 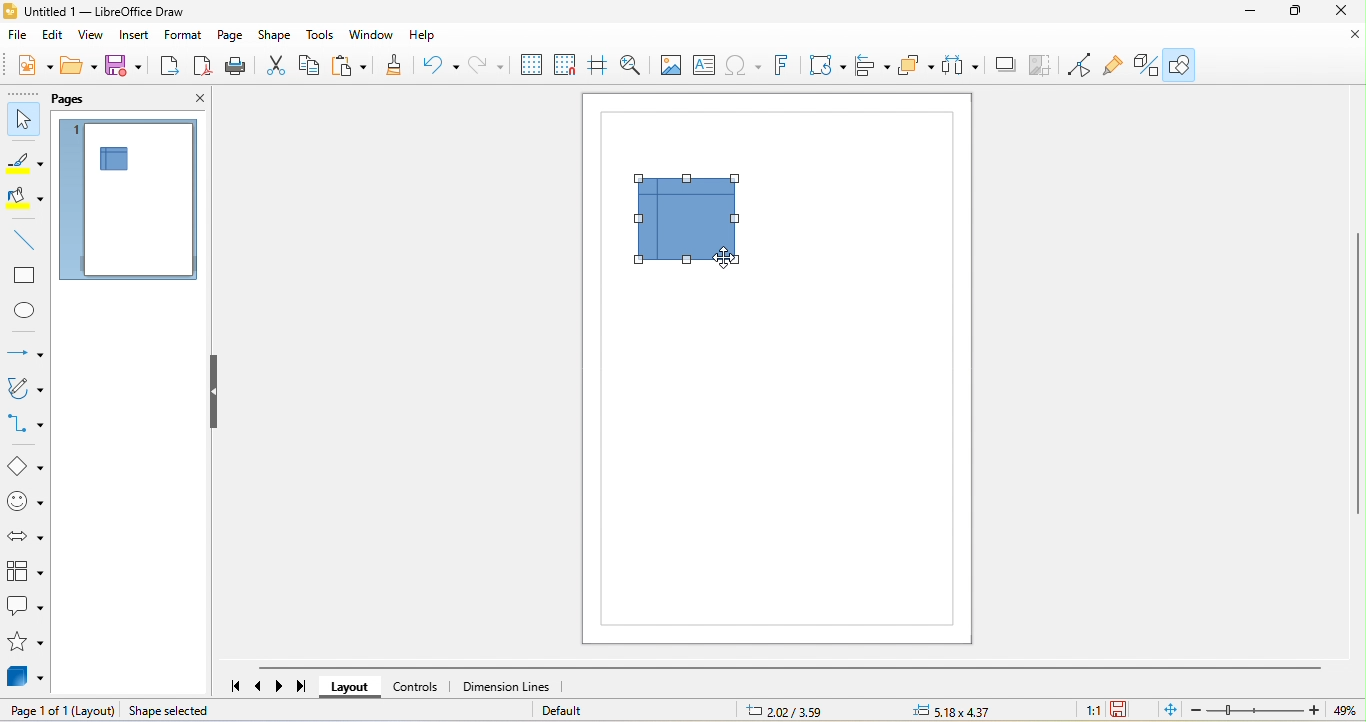 What do you see at coordinates (20, 37) in the screenshot?
I see `file` at bounding box center [20, 37].